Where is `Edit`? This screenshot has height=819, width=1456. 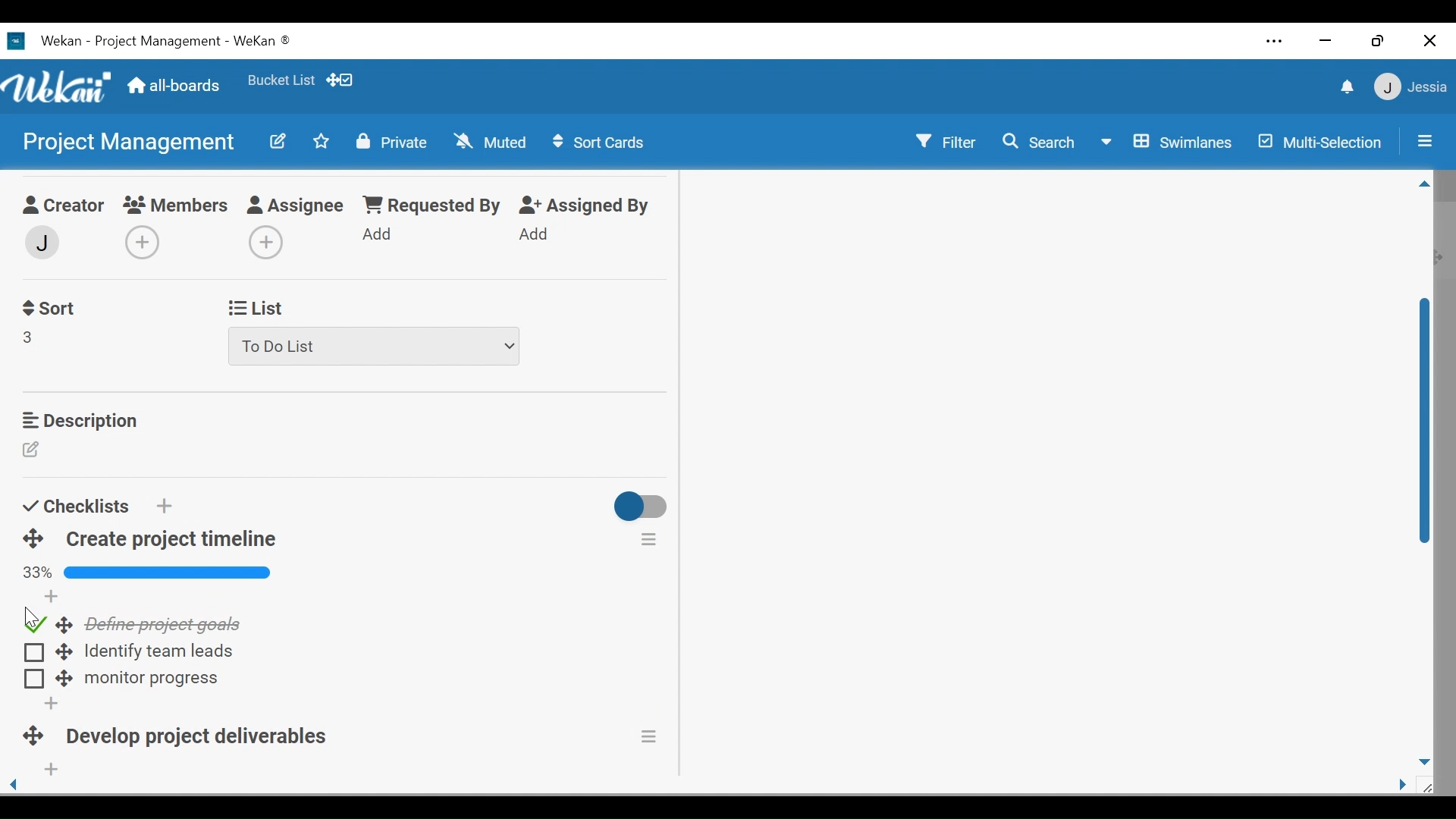 Edit is located at coordinates (33, 451).